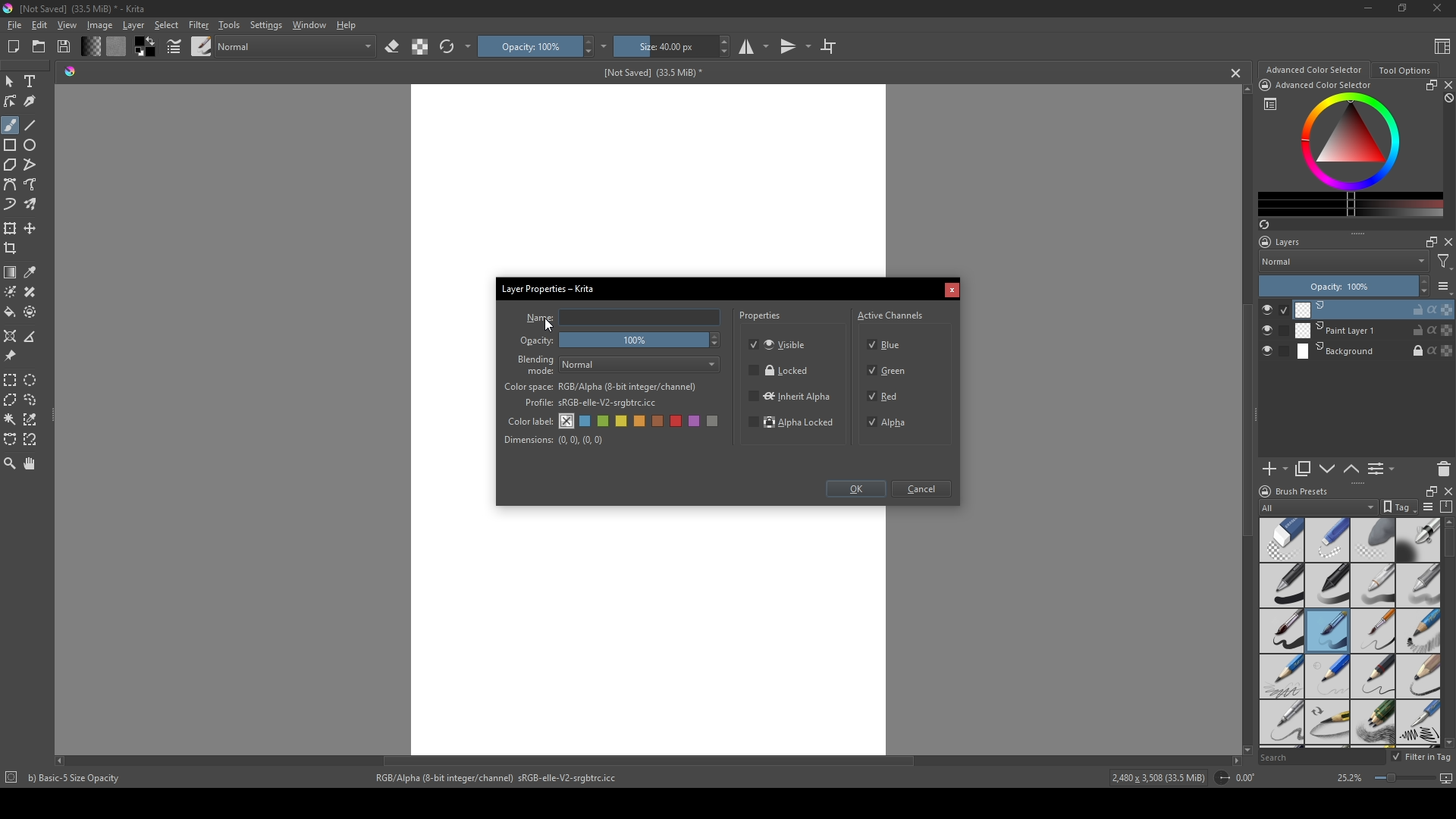 This screenshot has height=819, width=1456. What do you see at coordinates (198, 25) in the screenshot?
I see `Filter` at bounding box center [198, 25].